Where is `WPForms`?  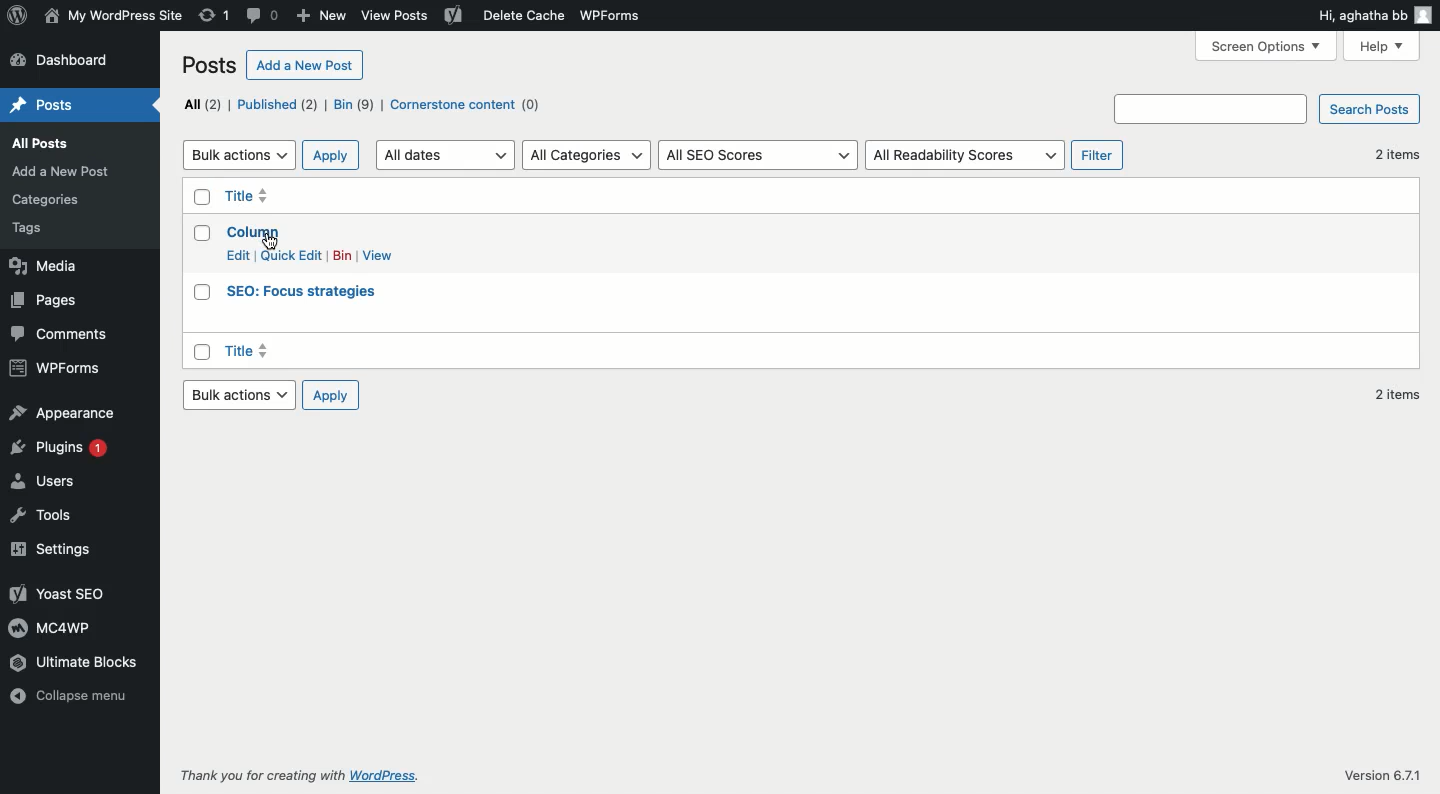
WPForms is located at coordinates (54, 364).